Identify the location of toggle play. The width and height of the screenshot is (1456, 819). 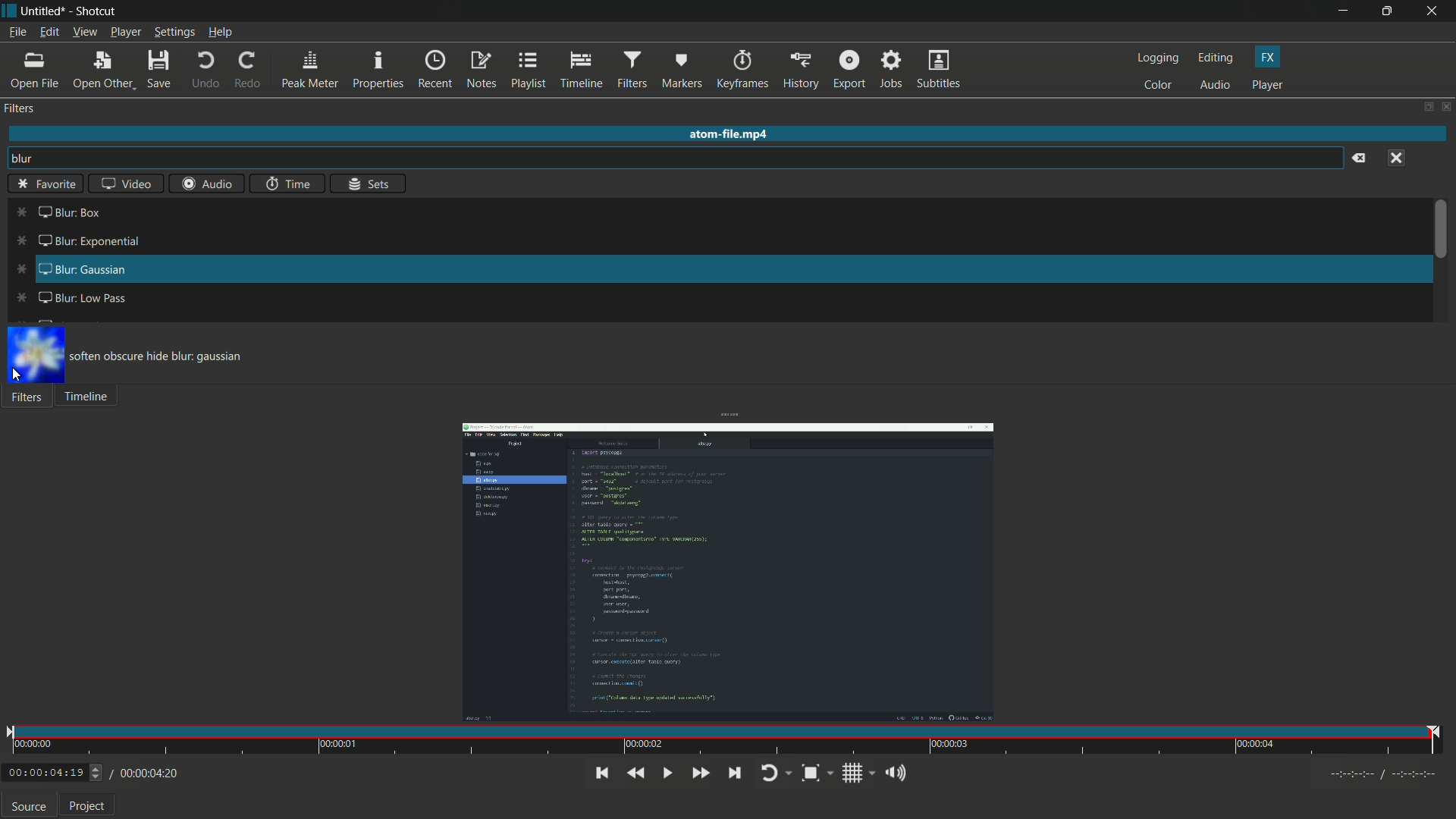
(665, 773).